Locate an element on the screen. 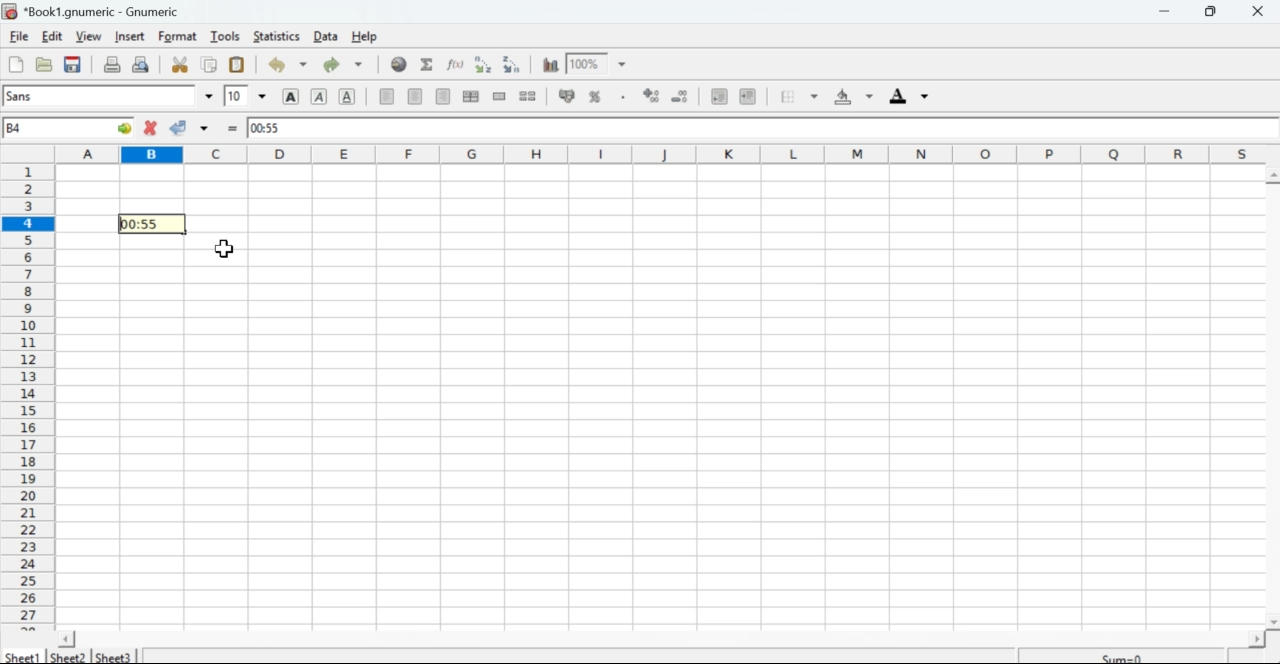  Save file is located at coordinates (73, 66).